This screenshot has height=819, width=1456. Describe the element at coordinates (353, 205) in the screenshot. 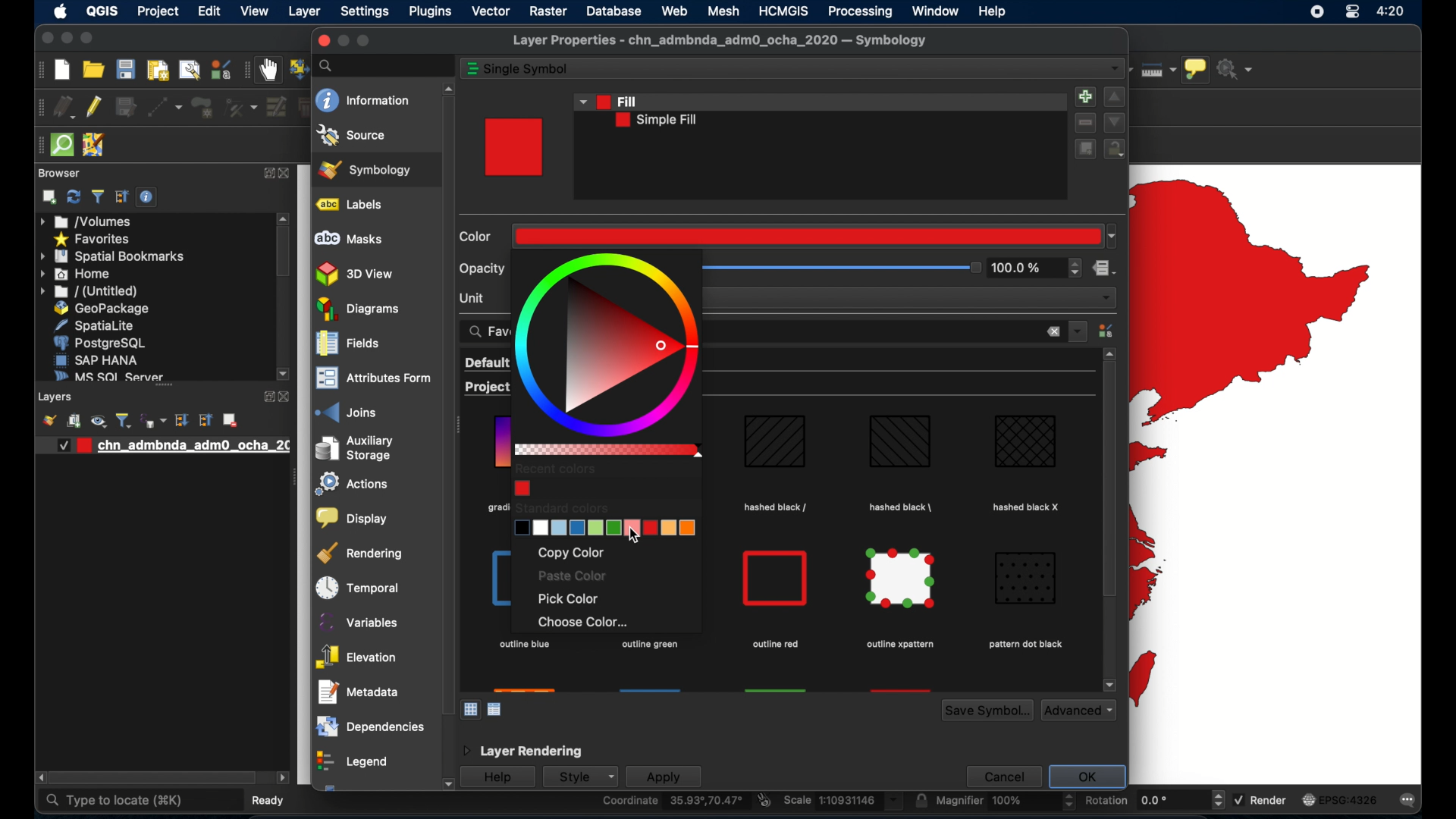

I see `labels` at that location.